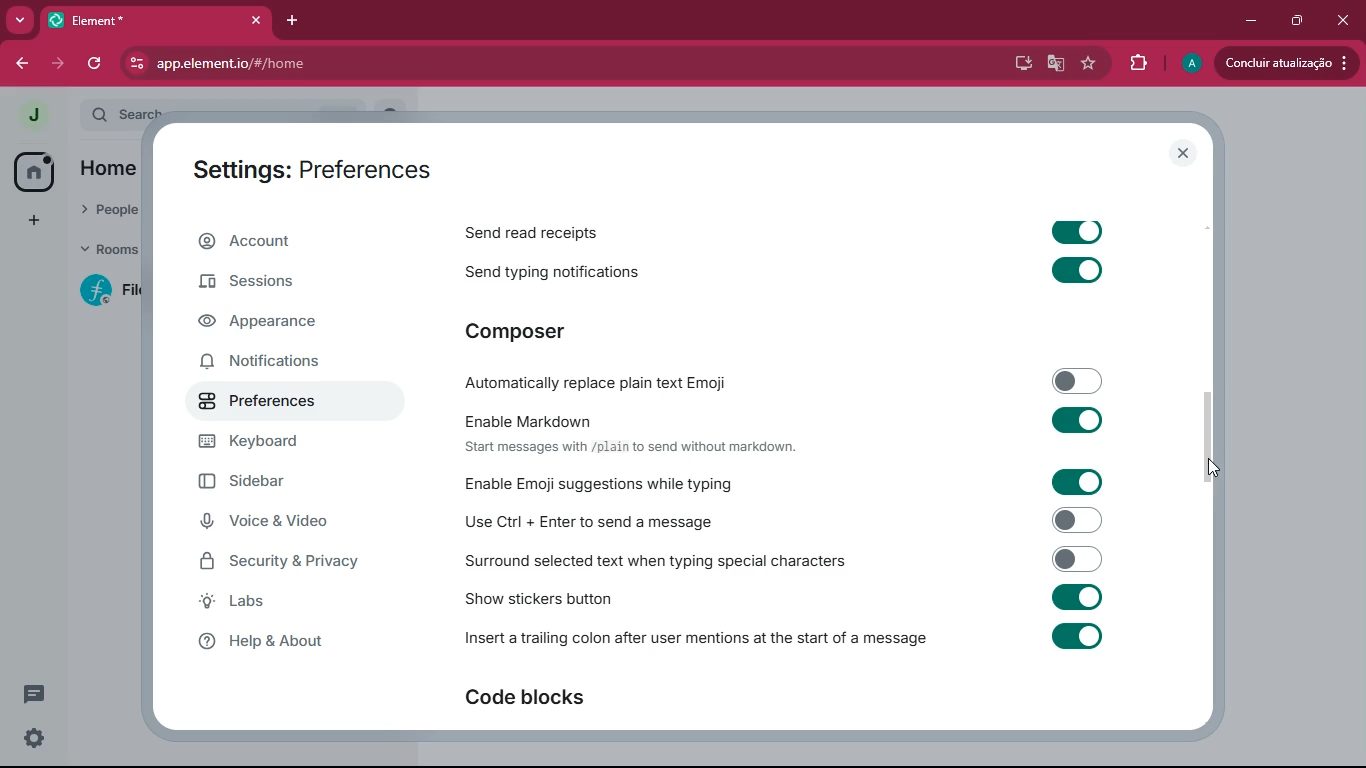  Describe the element at coordinates (159, 19) in the screenshot. I see `element` at that location.